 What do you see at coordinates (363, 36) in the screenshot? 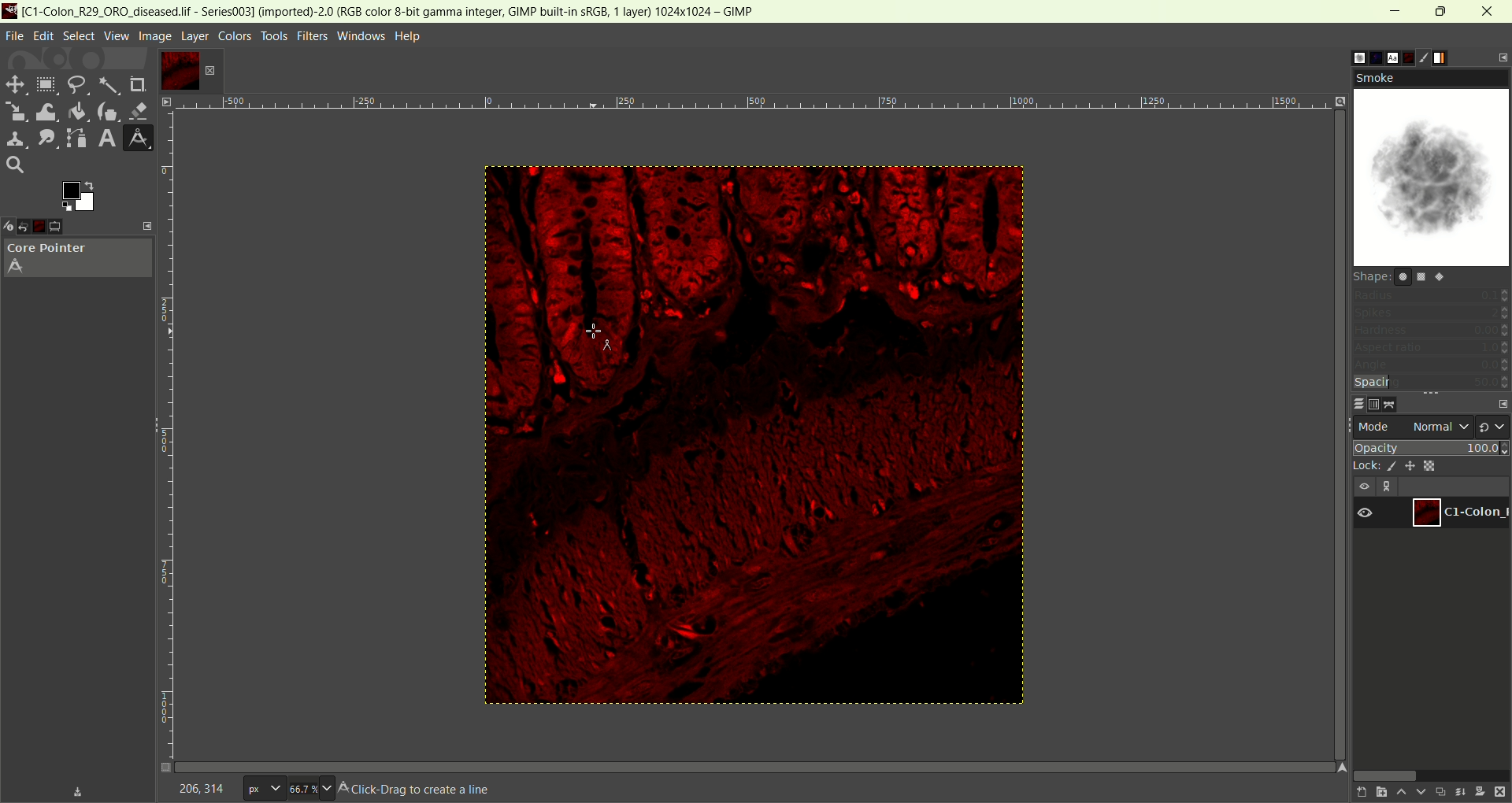
I see `windows` at bounding box center [363, 36].